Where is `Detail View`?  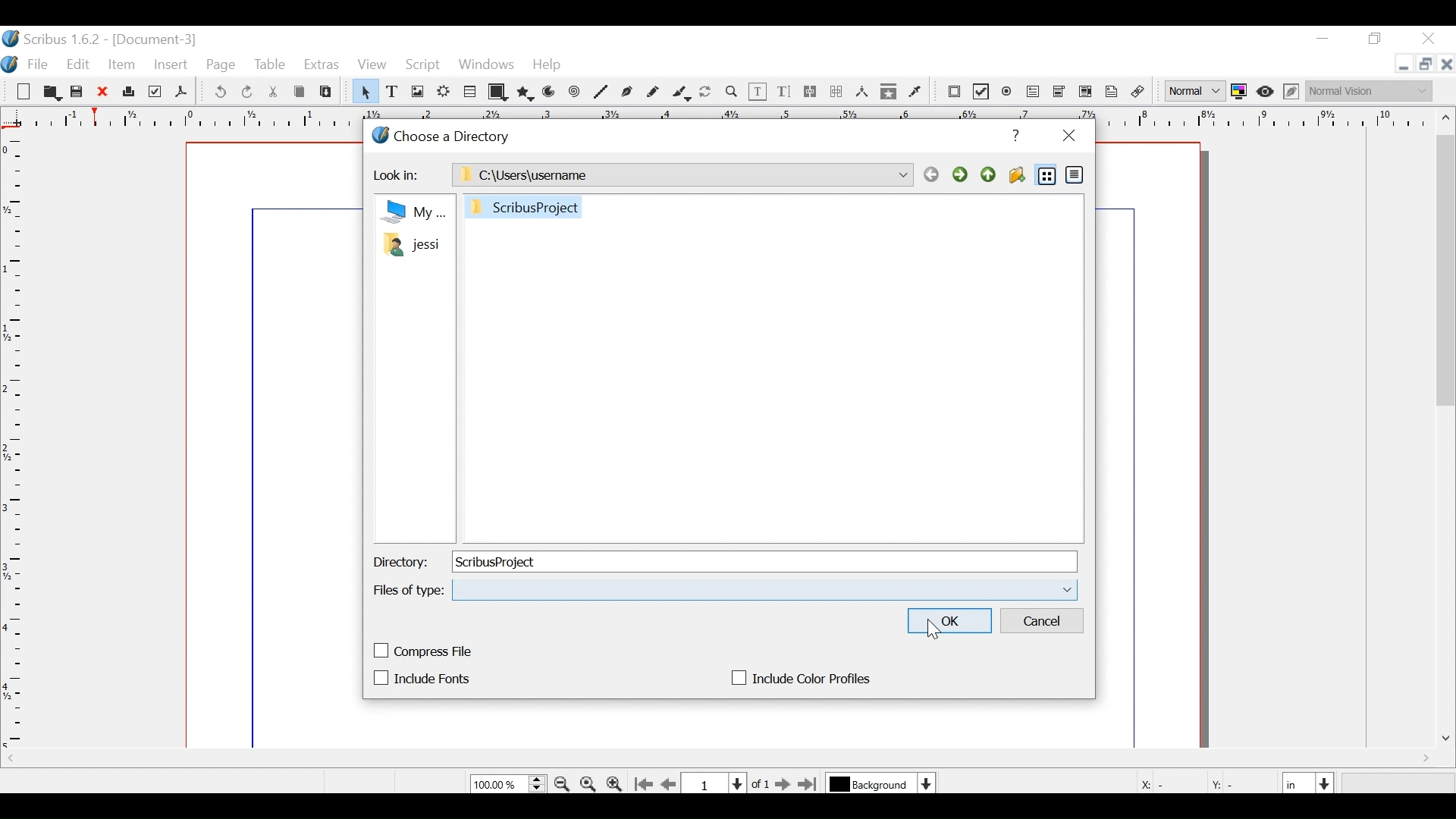 Detail View is located at coordinates (1076, 174).